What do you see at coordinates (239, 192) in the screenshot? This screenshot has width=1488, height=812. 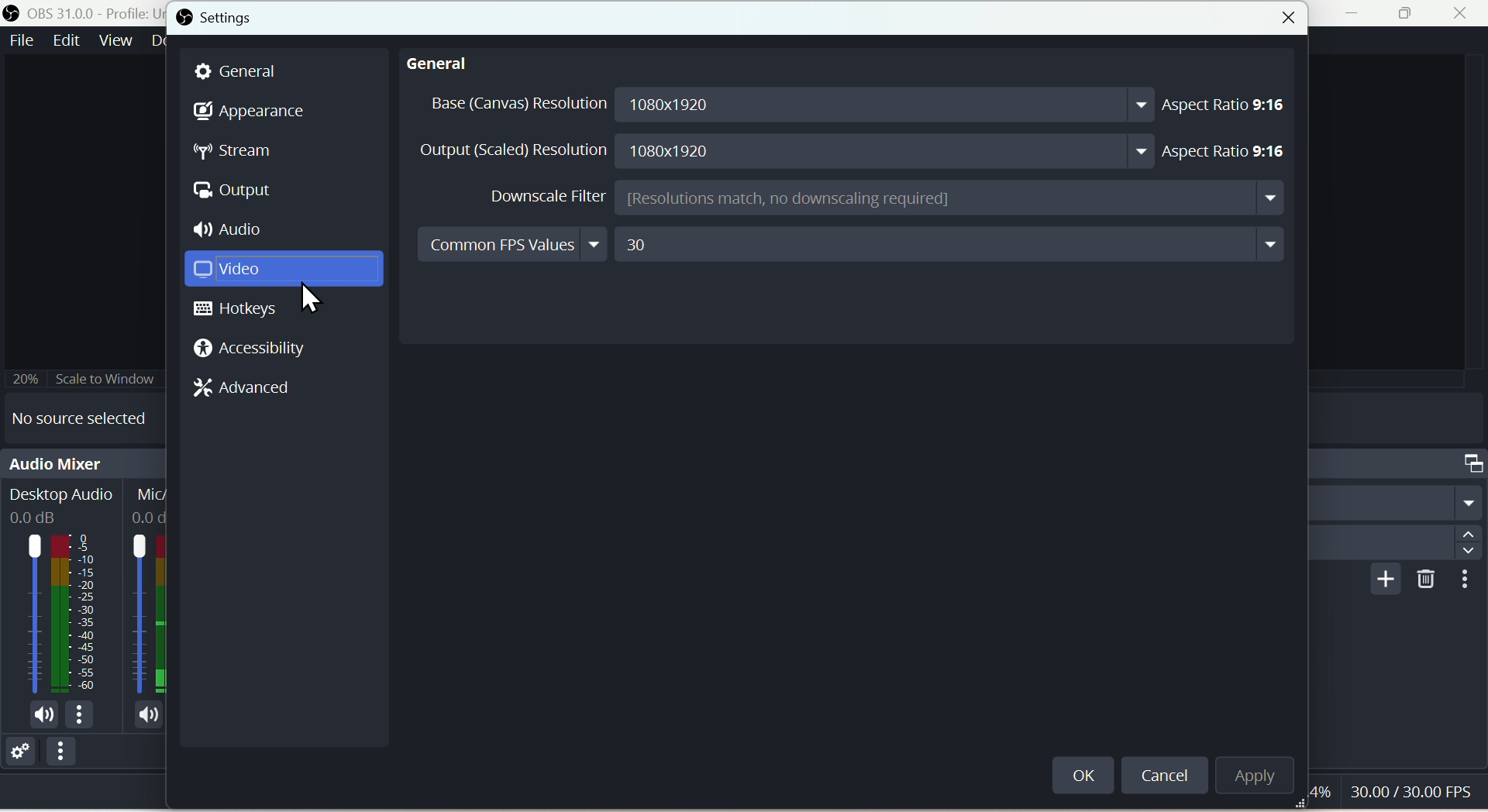 I see `Output` at bounding box center [239, 192].